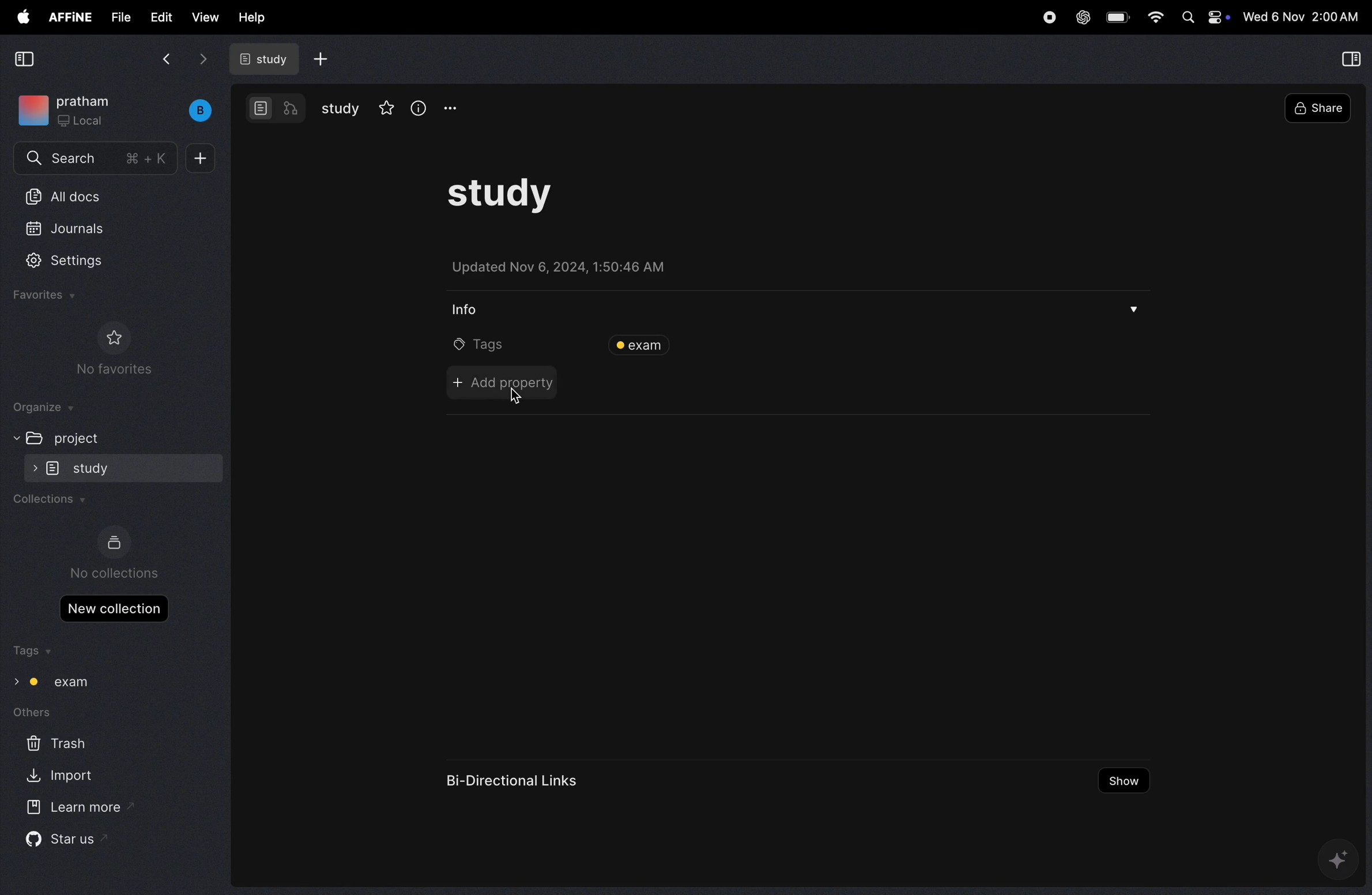 The width and height of the screenshot is (1372, 895). What do you see at coordinates (517, 782) in the screenshot?
I see `bi directional links` at bounding box center [517, 782].